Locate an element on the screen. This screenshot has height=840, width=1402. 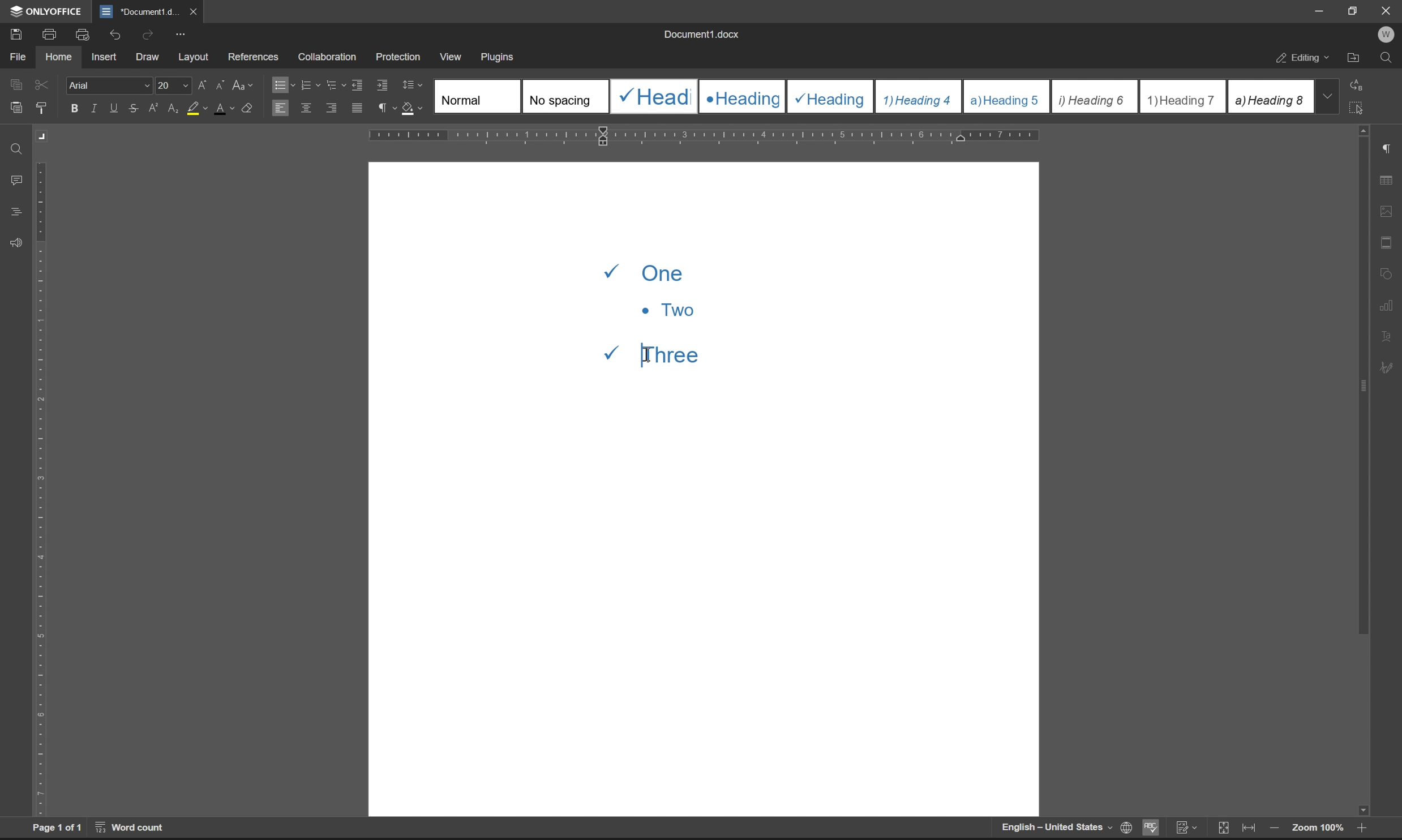
close is located at coordinates (192, 11).